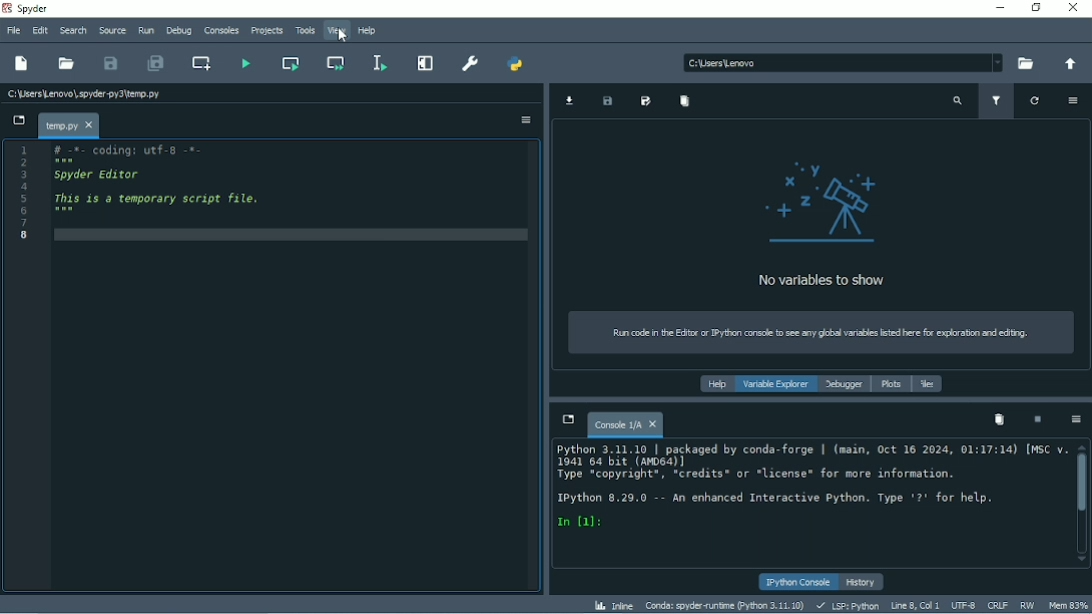  What do you see at coordinates (999, 419) in the screenshot?
I see `Remove all variables from namespace` at bounding box center [999, 419].